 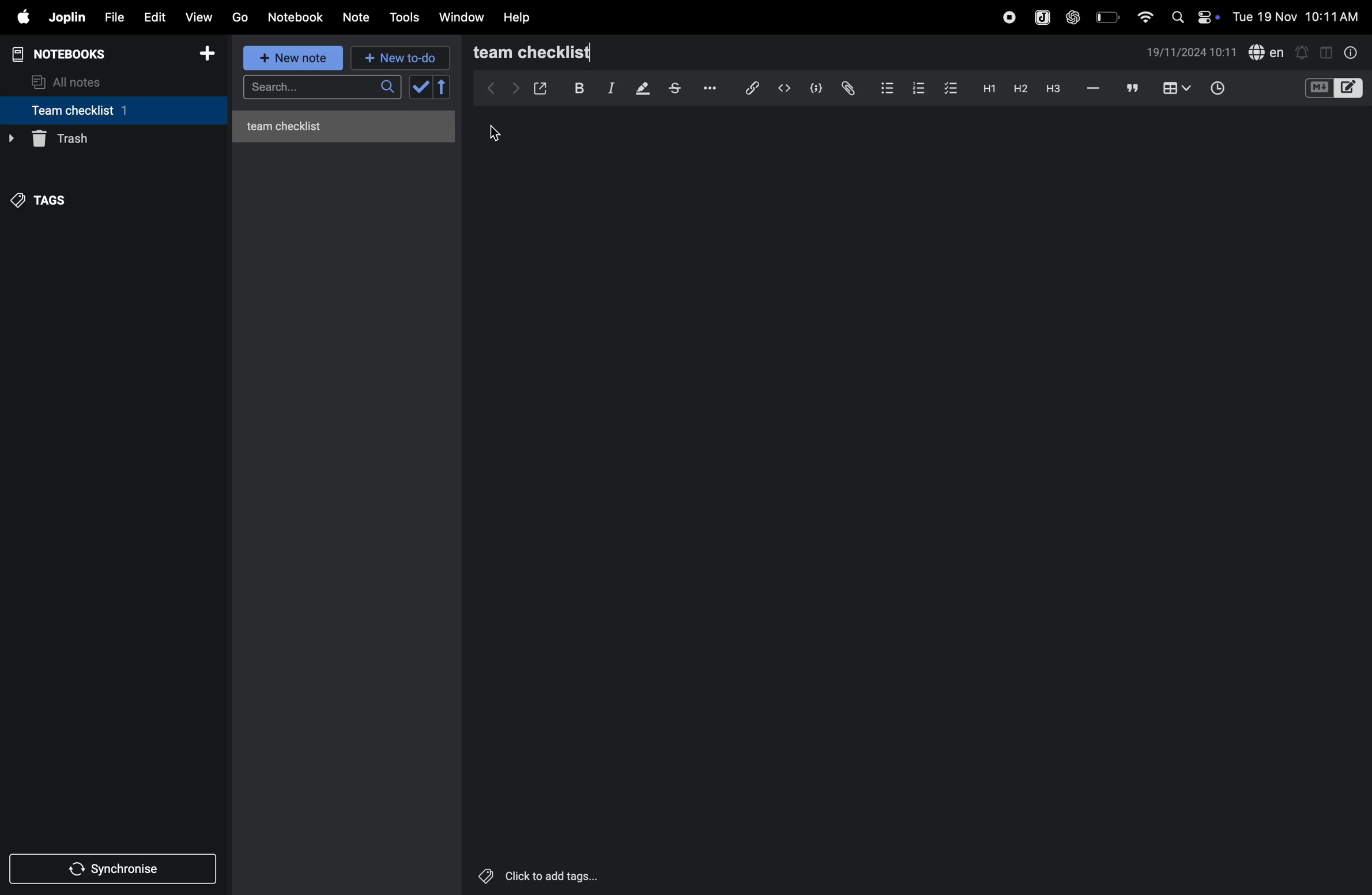 What do you see at coordinates (1017, 88) in the screenshot?
I see `heading 2` at bounding box center [1017, 88].